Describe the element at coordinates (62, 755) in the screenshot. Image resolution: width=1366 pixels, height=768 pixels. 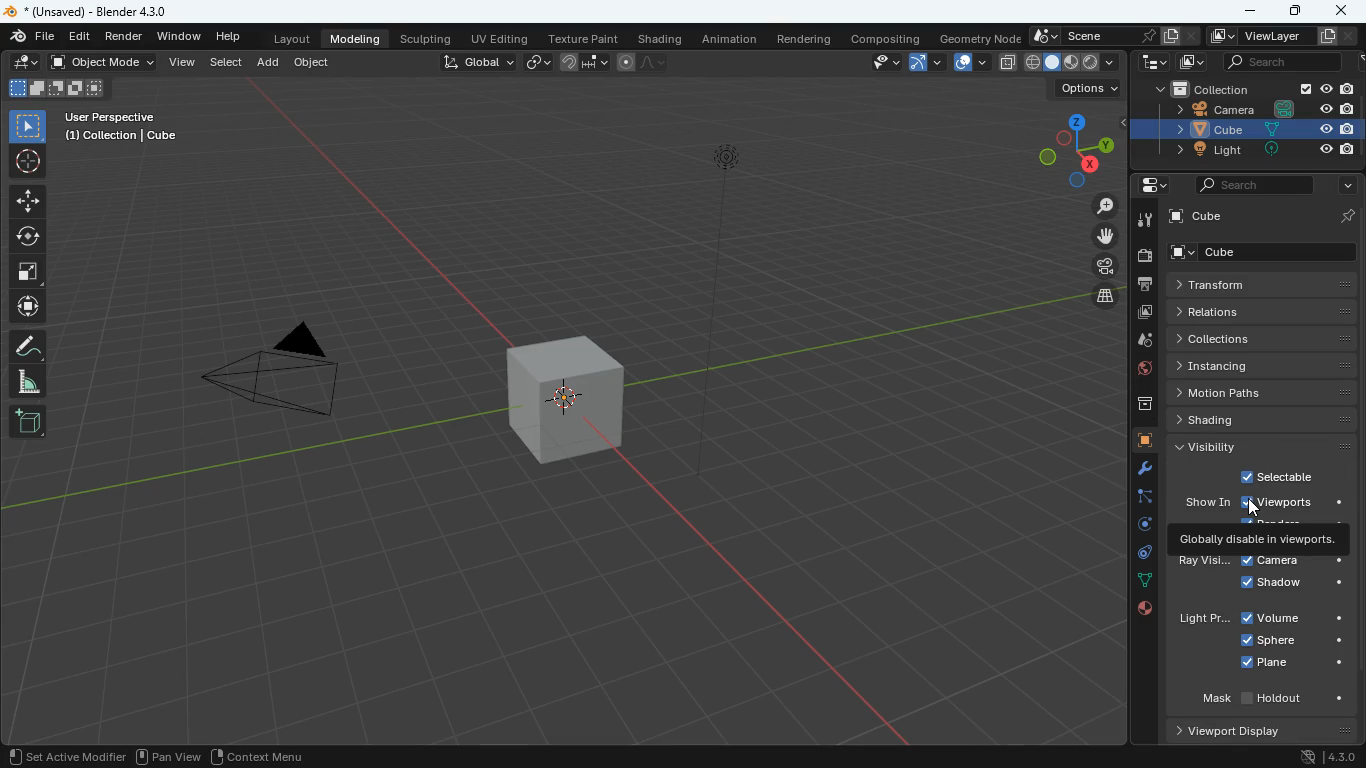
I see `set achive modifier` at that location.